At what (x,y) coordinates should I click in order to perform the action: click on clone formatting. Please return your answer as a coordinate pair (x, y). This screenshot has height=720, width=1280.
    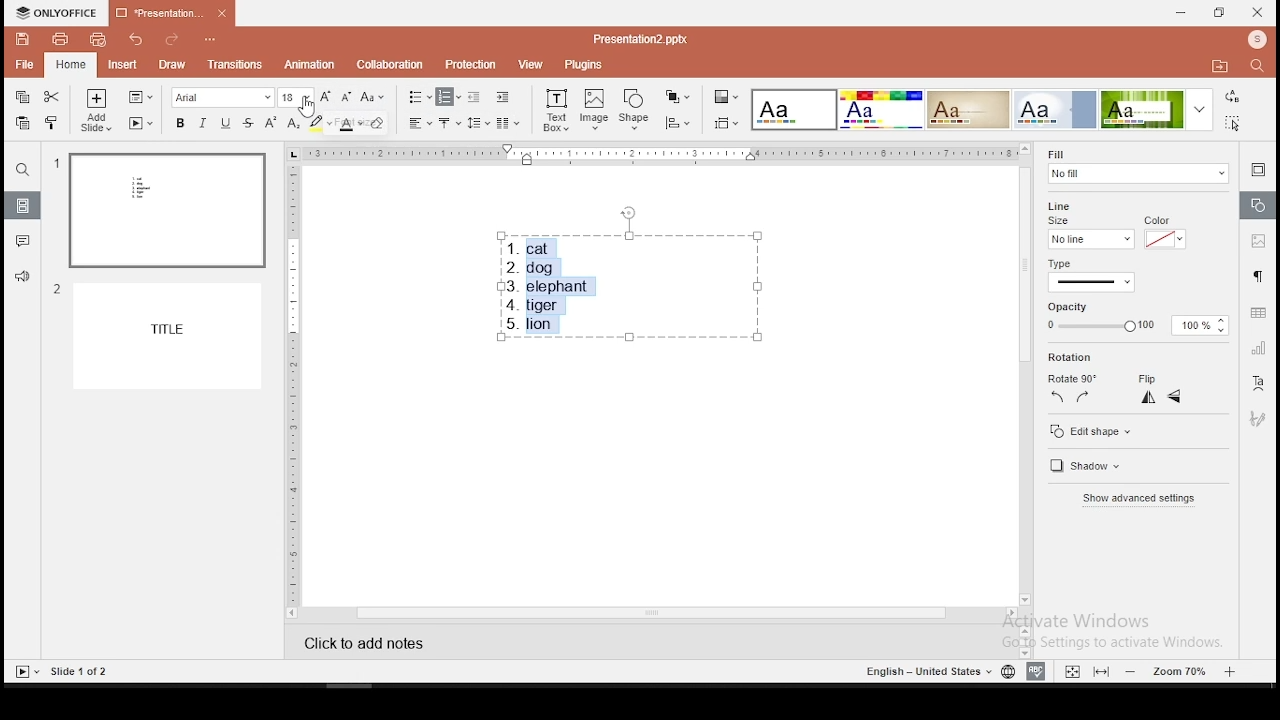
    Looking at the image, I should click on (52, 122).